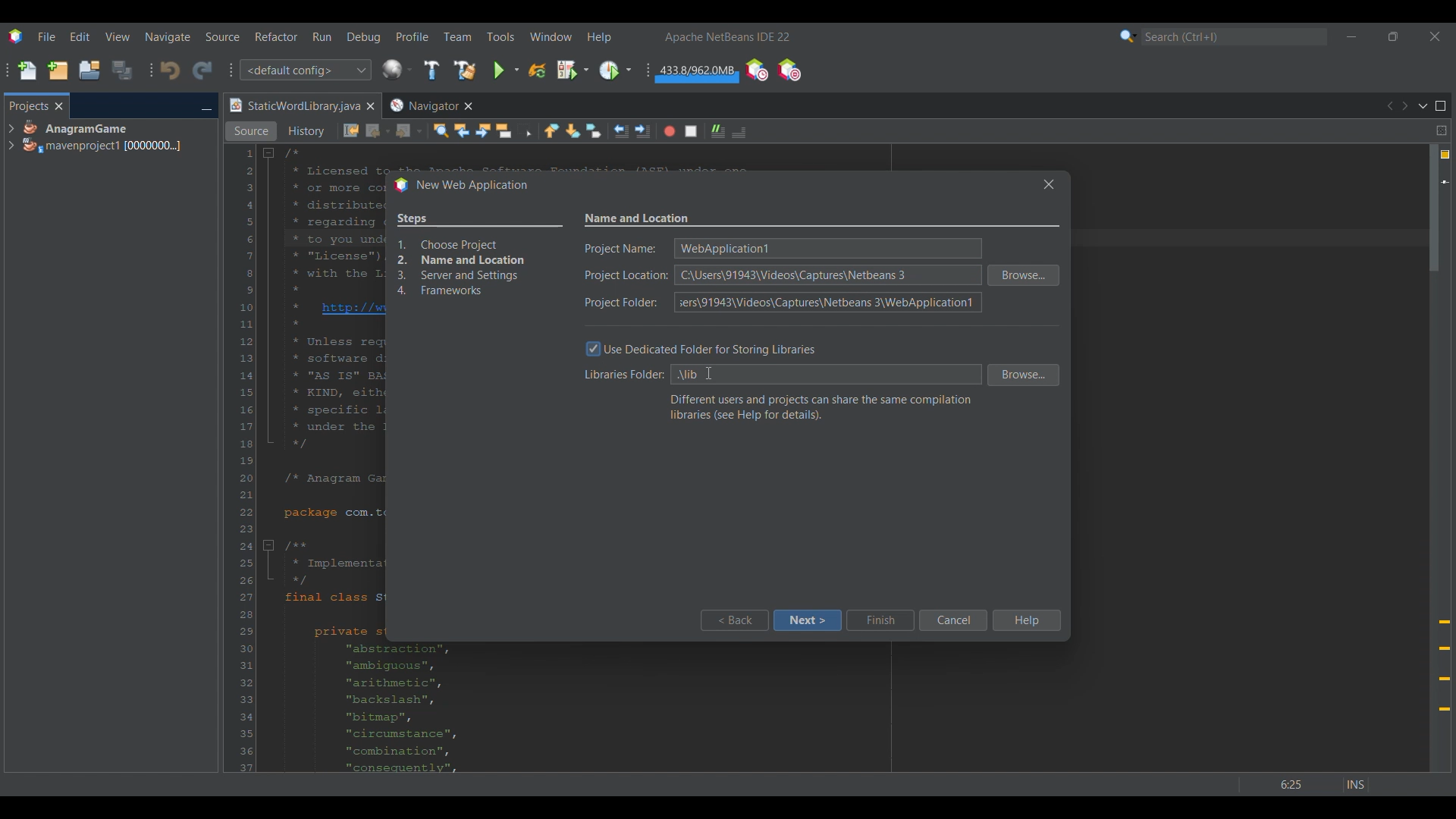 This screenshot has height=819, width=1456. What do you see at coordinates (441, 130) in the screenshot?
I see `Find selection` at bounding box center [441, 130].